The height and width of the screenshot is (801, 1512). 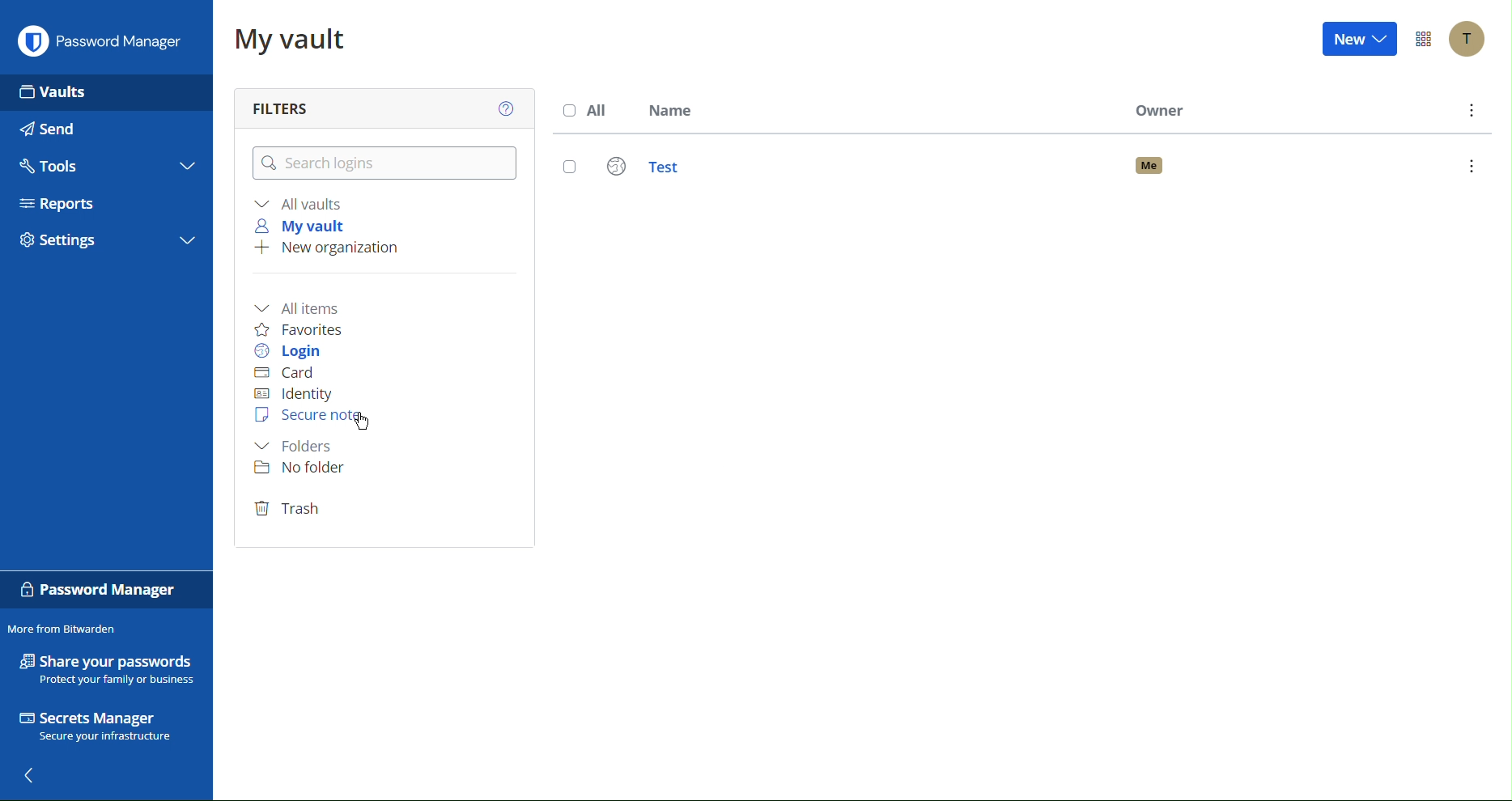 What do you see at coordinates (365, 425) in the screenshot?
I see `Cursor` at bounding box center [365, 425].